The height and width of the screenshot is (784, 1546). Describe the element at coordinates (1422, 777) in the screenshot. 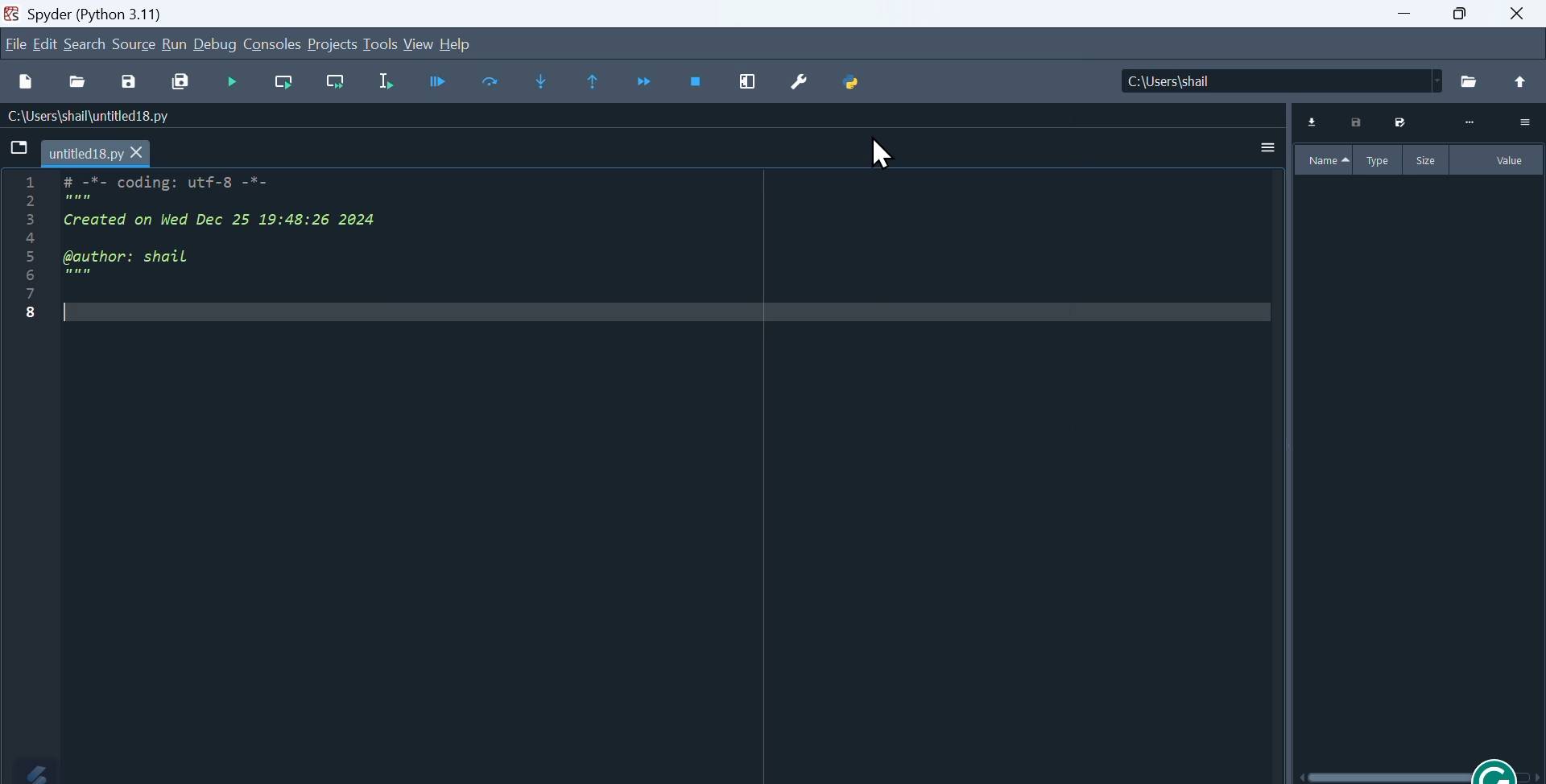

I see `scrollbar` at that location.